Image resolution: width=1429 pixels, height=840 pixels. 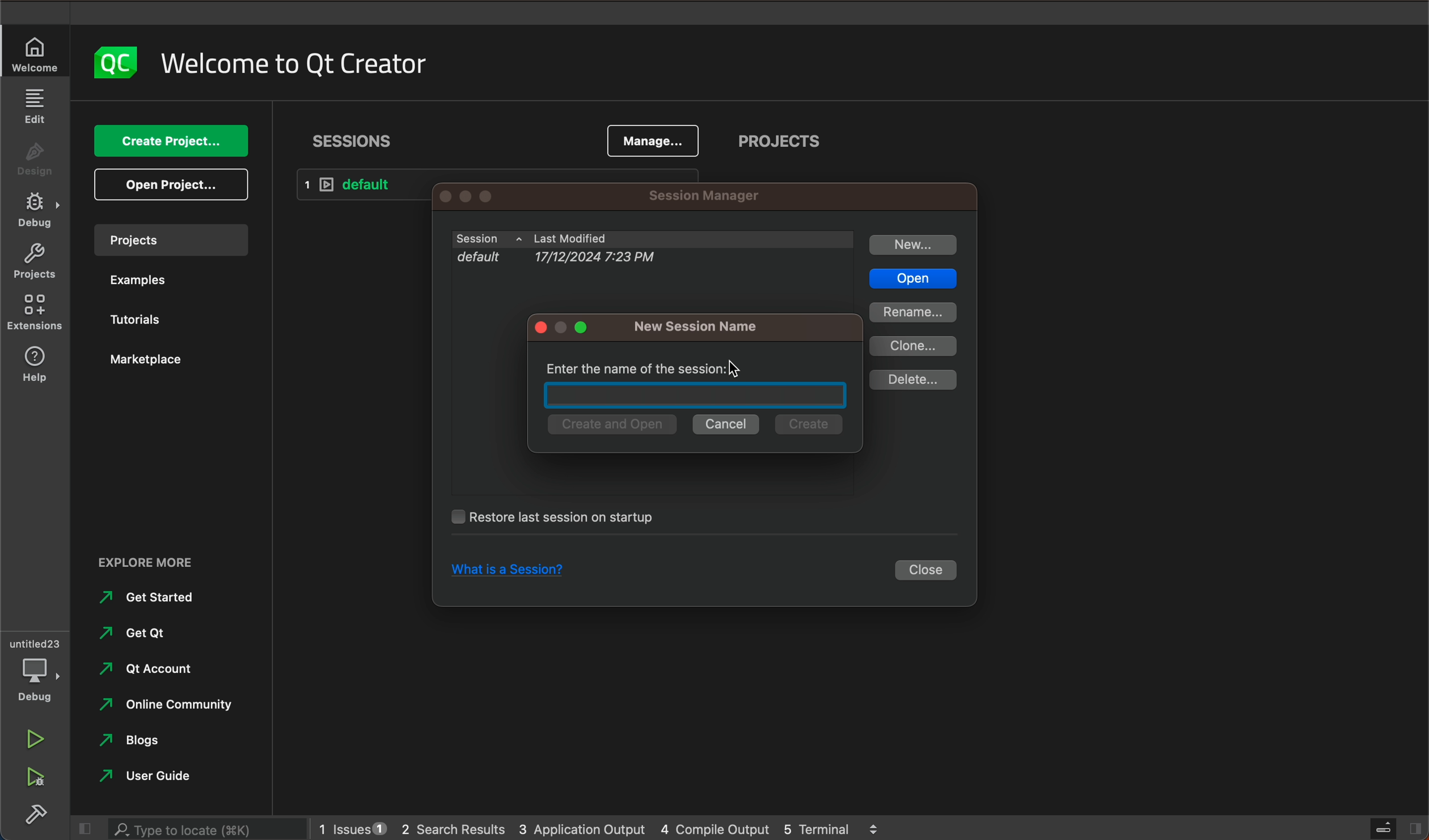 What do you see at coordinates (32, 736) in the screenshot?
I see `run` at bounding box center [32, 736].